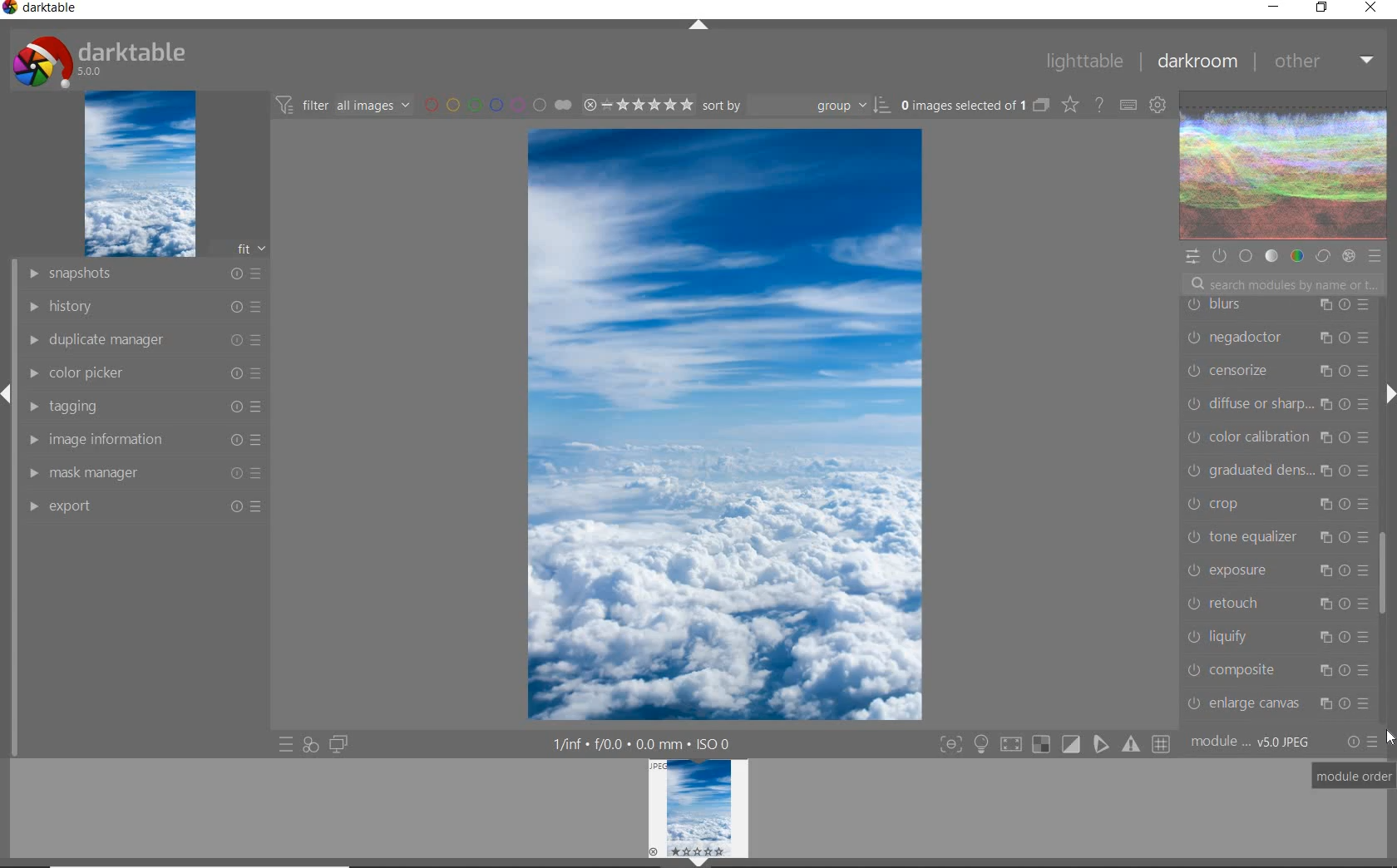  What do you see at coordinates (146, 274) in the screenshot?
I see `SNAPSHOTS` at bounding box center [146, 274].